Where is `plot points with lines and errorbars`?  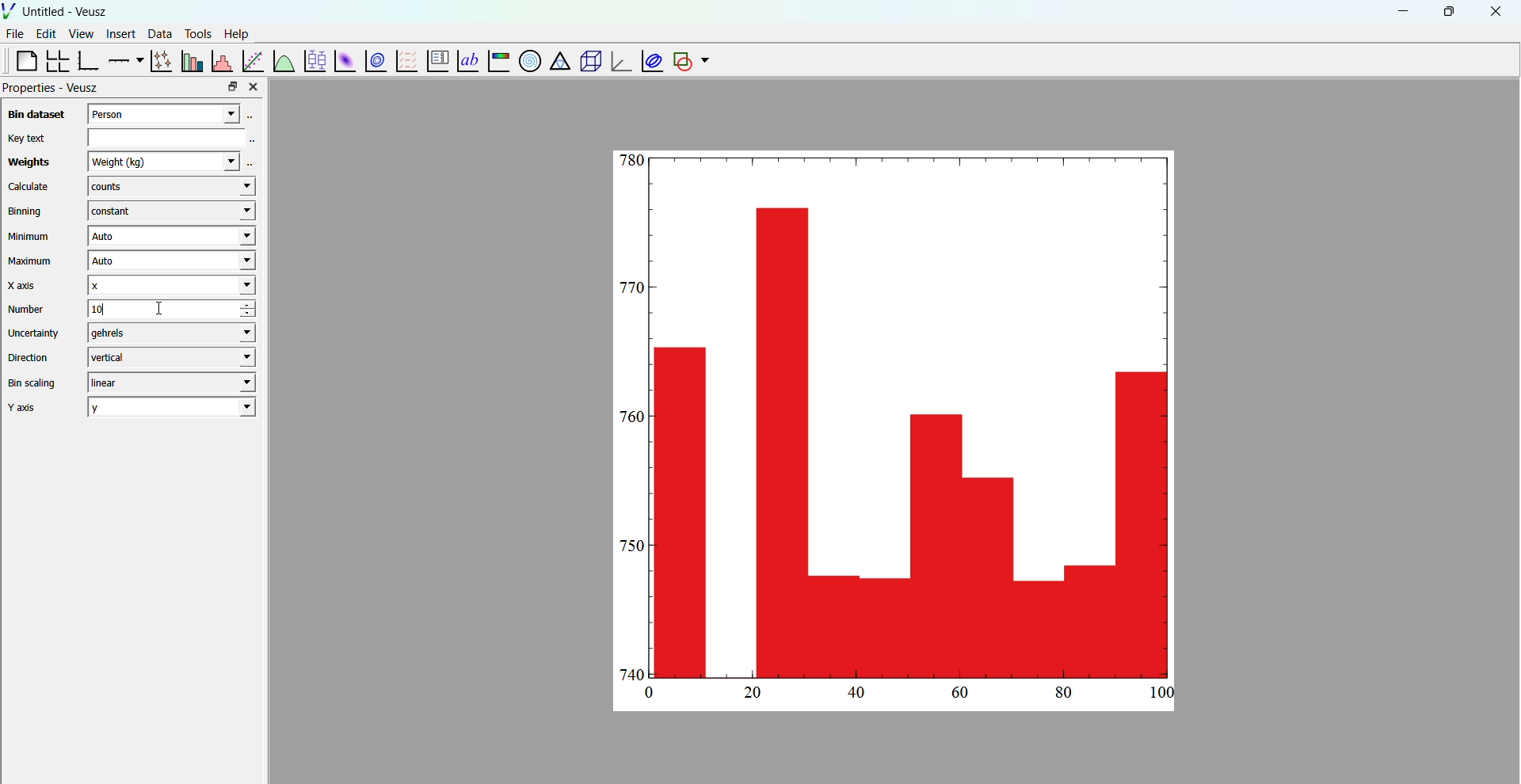
plot points with lines and errorbars is located at coordinates (159, 61).